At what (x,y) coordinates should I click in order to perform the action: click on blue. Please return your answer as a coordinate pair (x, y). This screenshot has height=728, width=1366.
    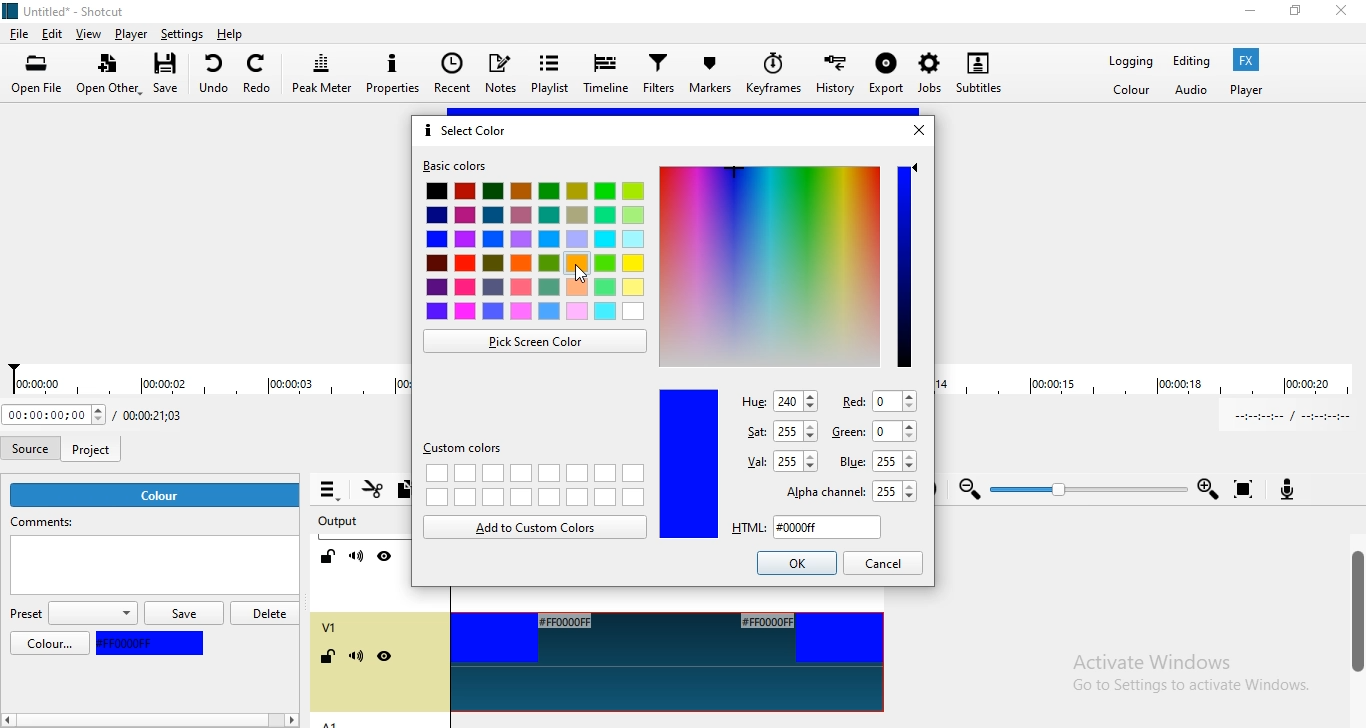
    Looking at the image, I should click on (879, 461).